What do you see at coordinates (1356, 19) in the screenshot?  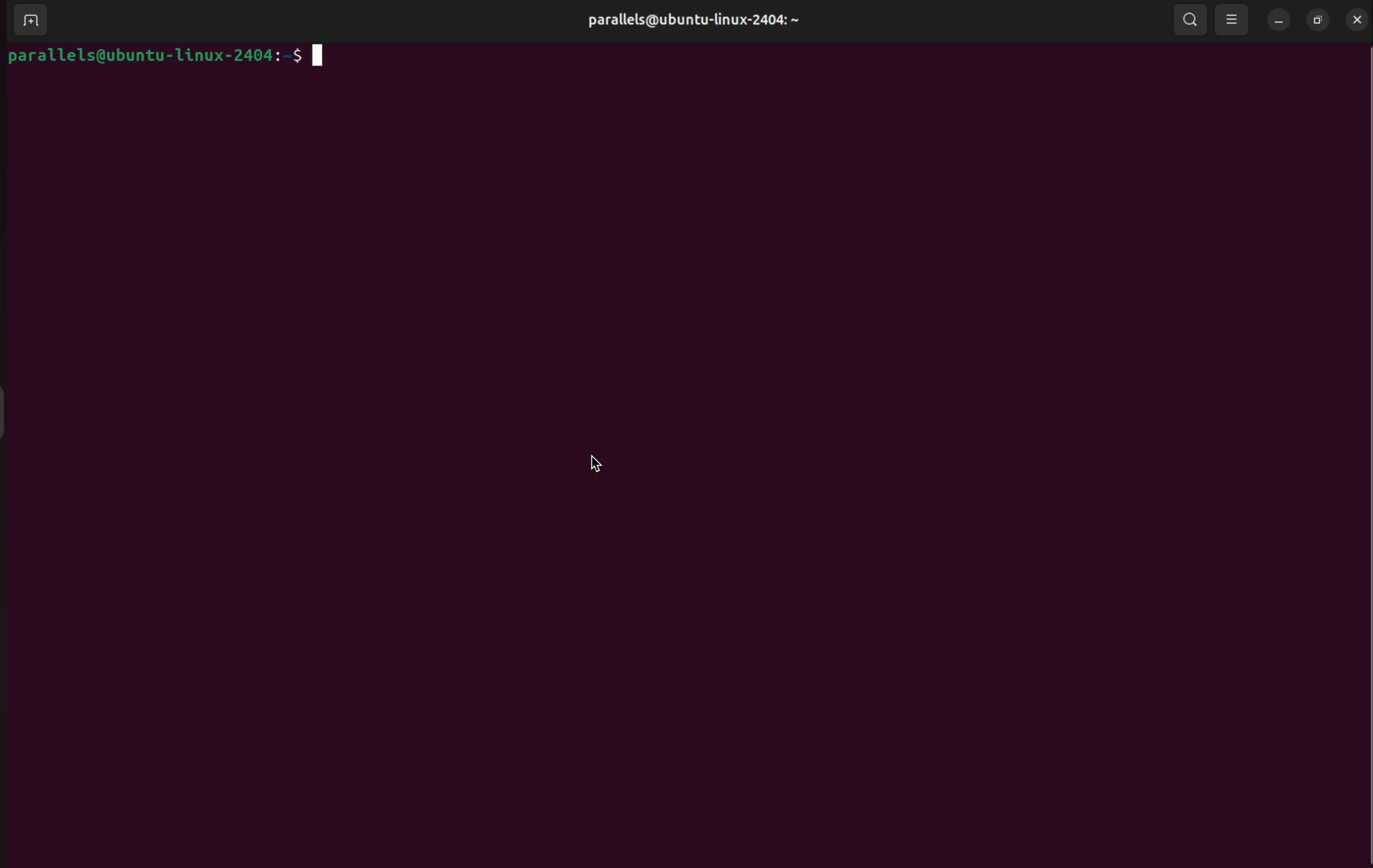 I see `close` at bounding box center [1356, 19].